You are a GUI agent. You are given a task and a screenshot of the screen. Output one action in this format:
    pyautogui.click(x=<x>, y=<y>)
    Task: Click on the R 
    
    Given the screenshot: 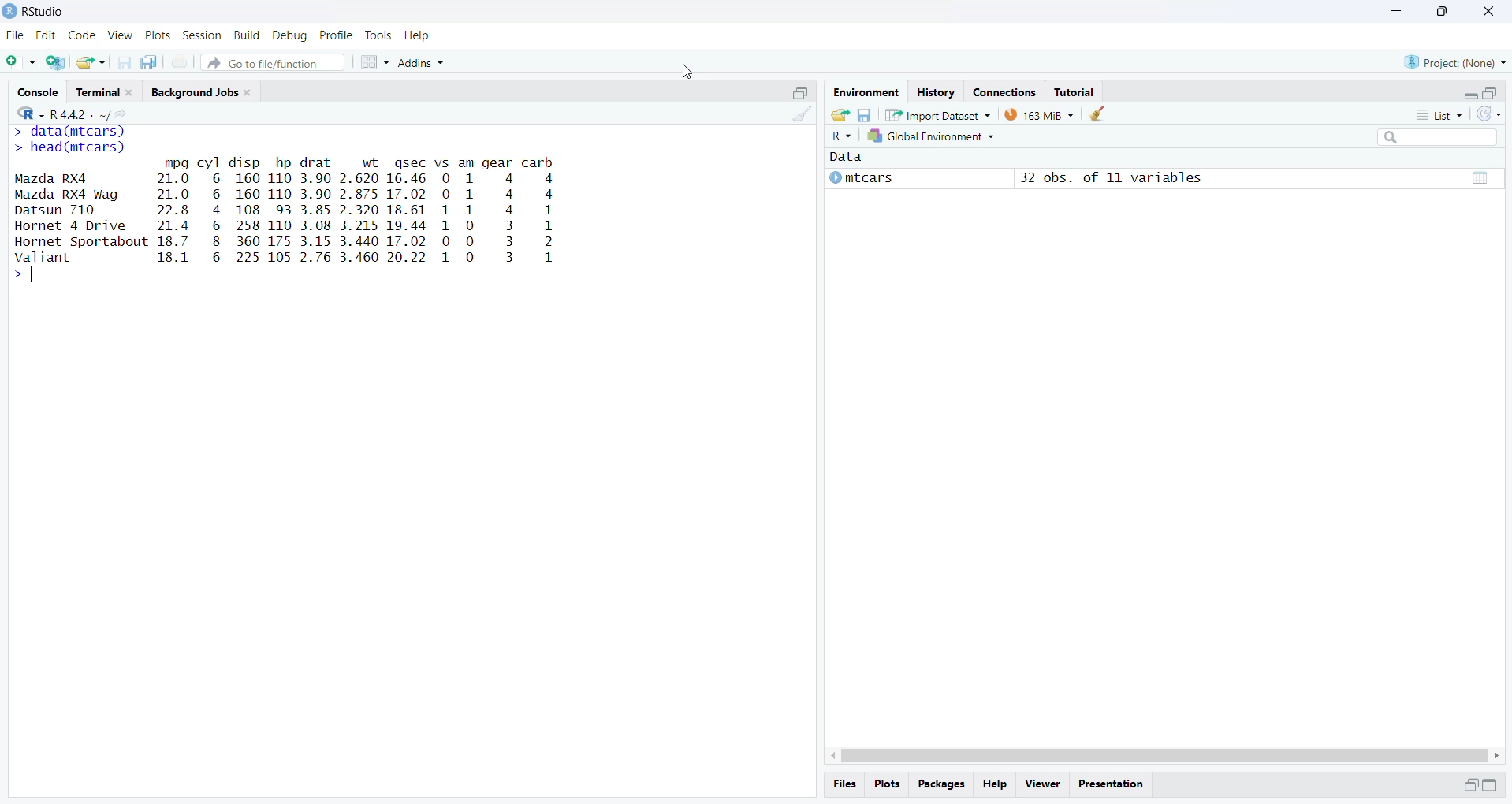 What is the action you would take?
    pyautogui.click(x=32, y=114)
    